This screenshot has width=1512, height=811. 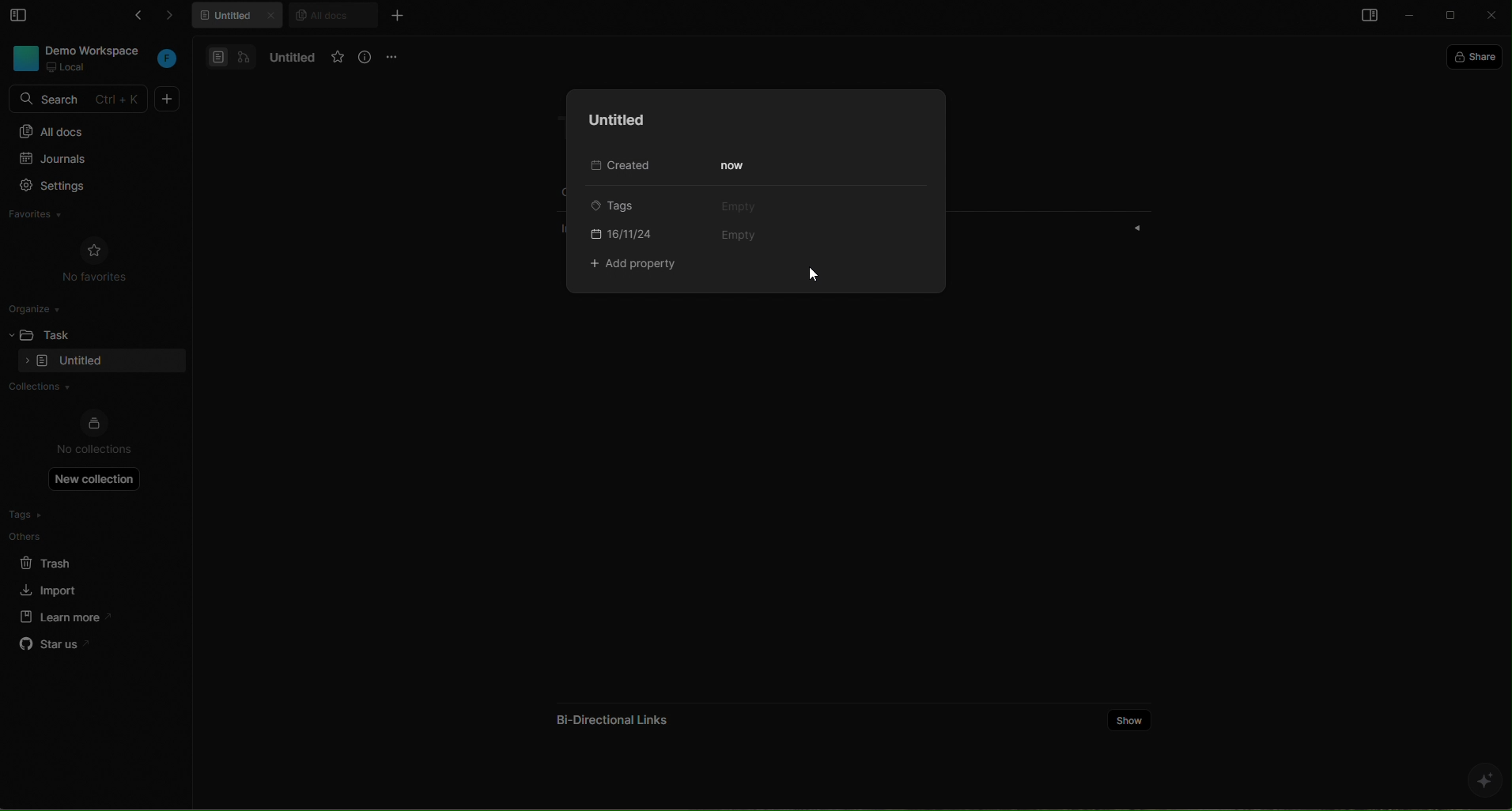 I want to click on no favorites, so click(x=95, y=258).